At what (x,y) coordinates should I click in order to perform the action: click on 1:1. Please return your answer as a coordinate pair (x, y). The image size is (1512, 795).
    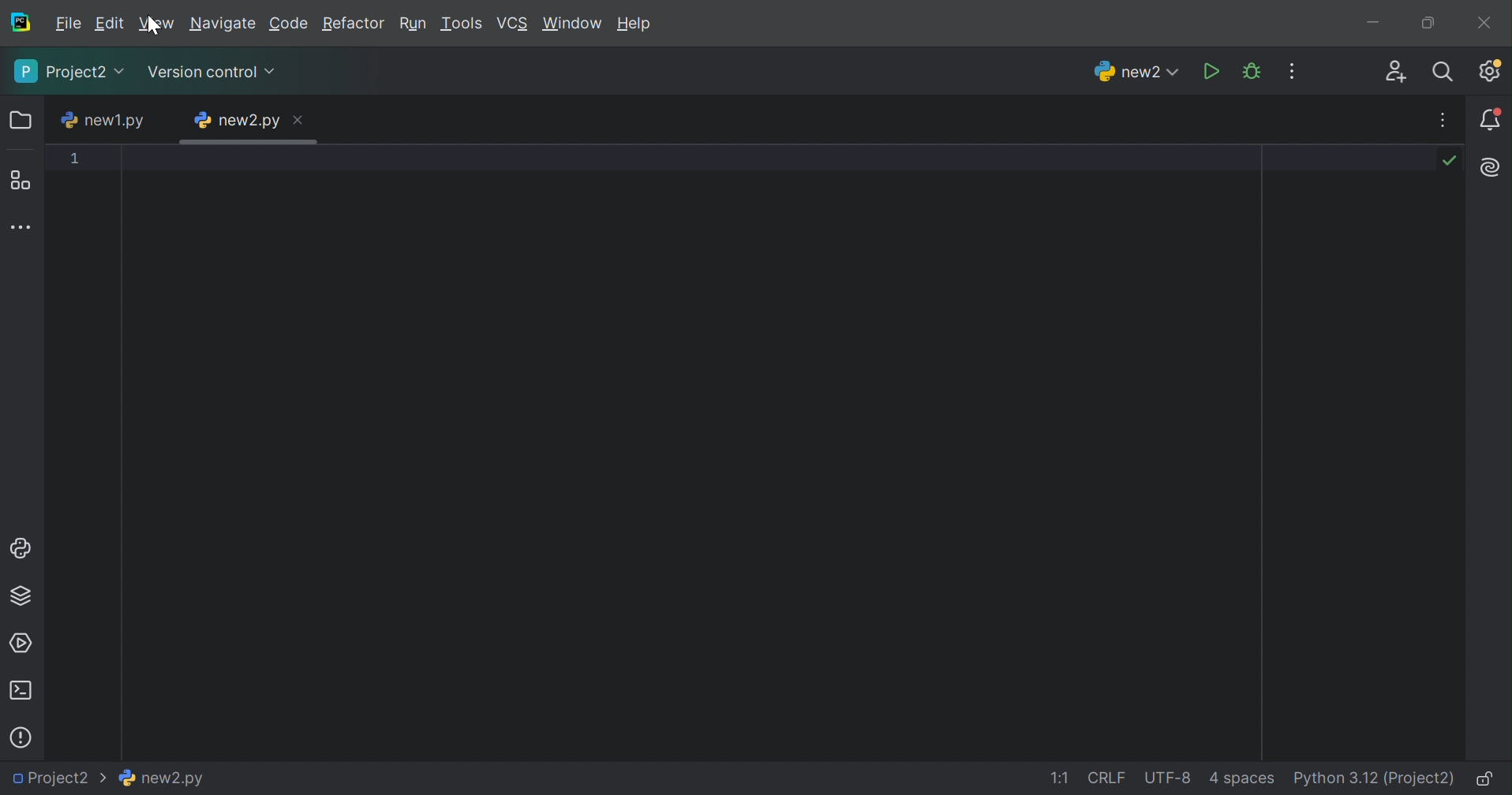
    Looking at the image, I should click on (1061, 779).